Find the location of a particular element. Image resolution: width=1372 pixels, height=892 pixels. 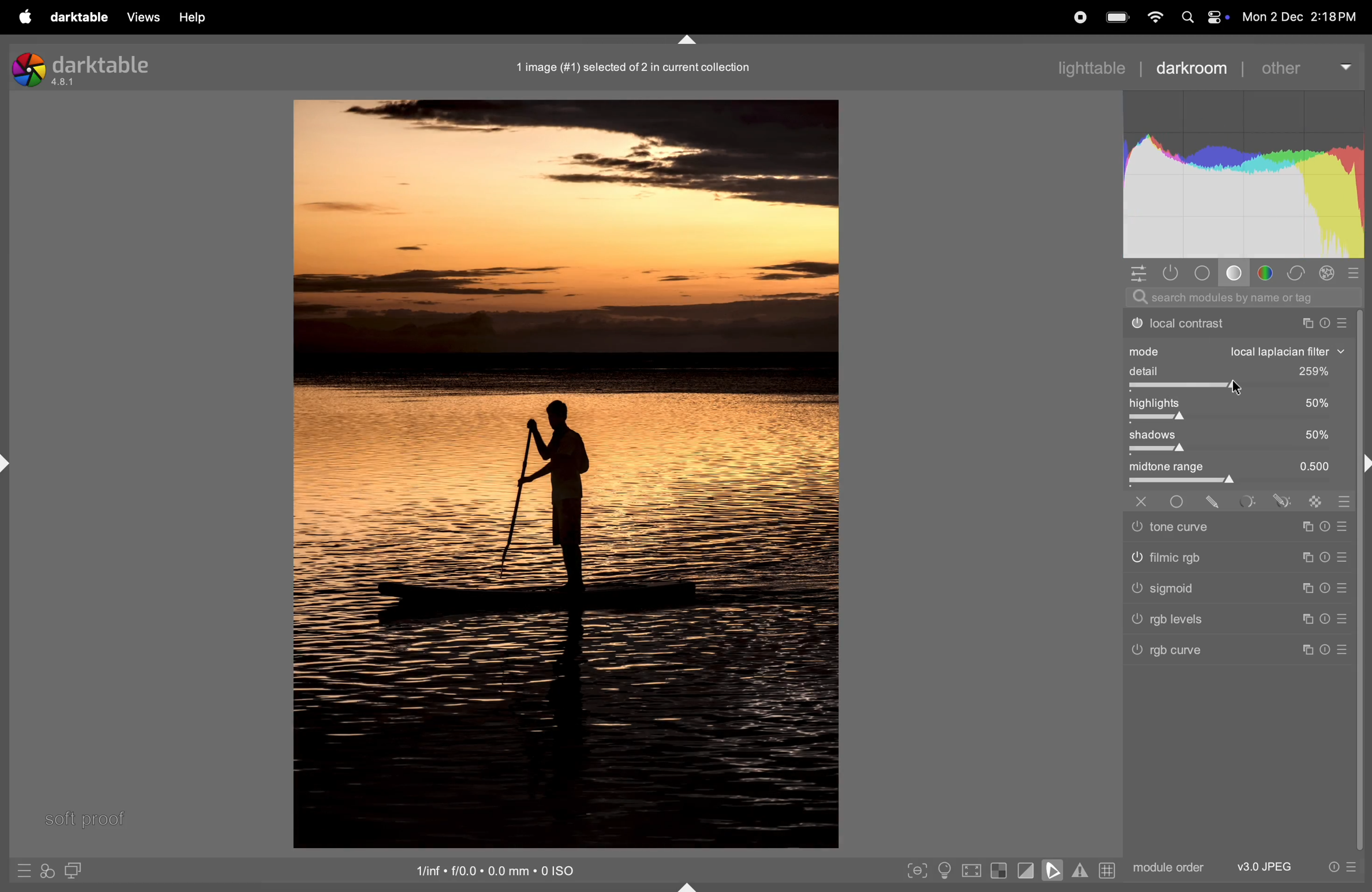

quick access to presets is located at coordinates (19, 868).